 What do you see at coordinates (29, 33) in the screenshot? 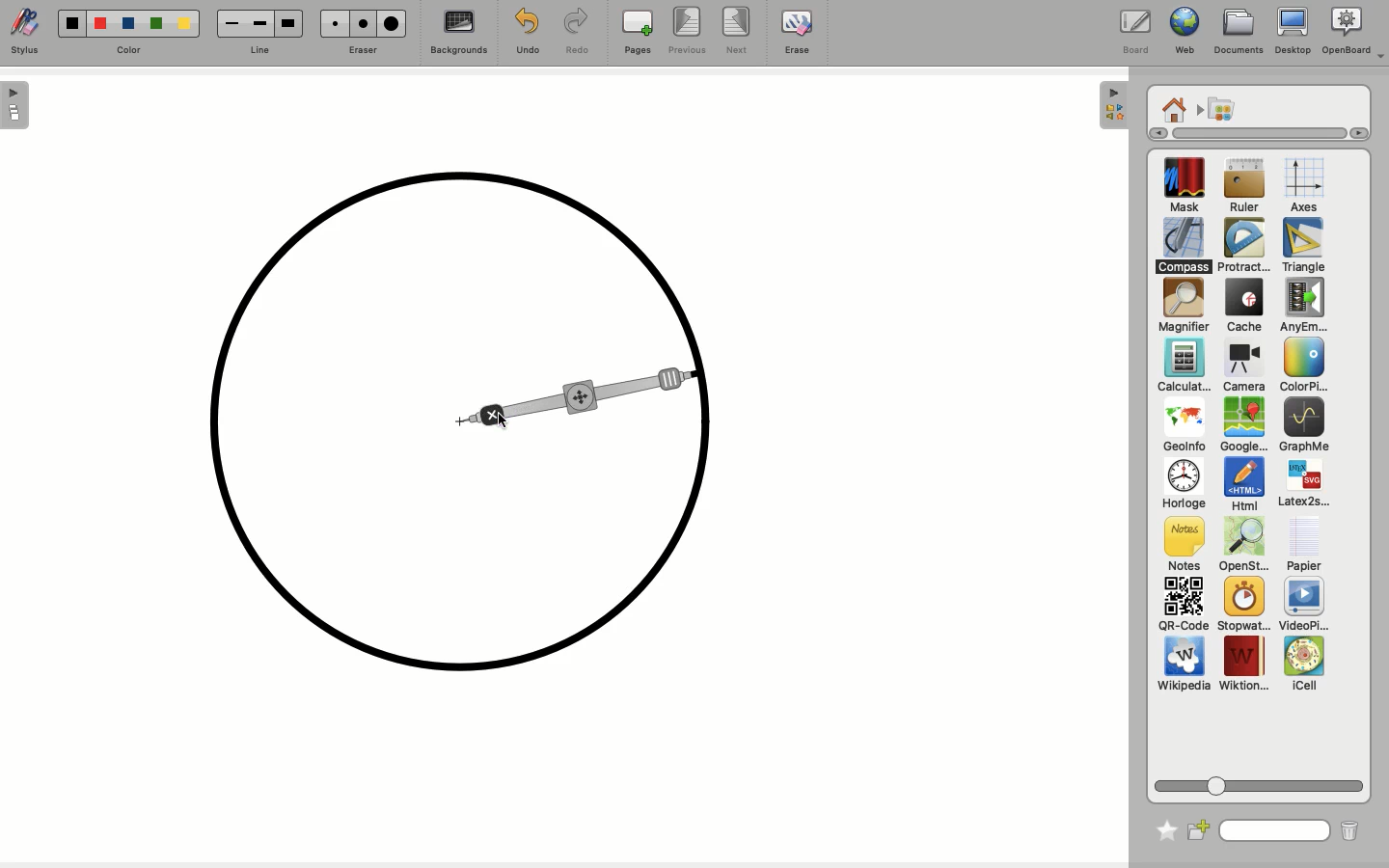
I see `Stylus` at bounding box center [29, 33].